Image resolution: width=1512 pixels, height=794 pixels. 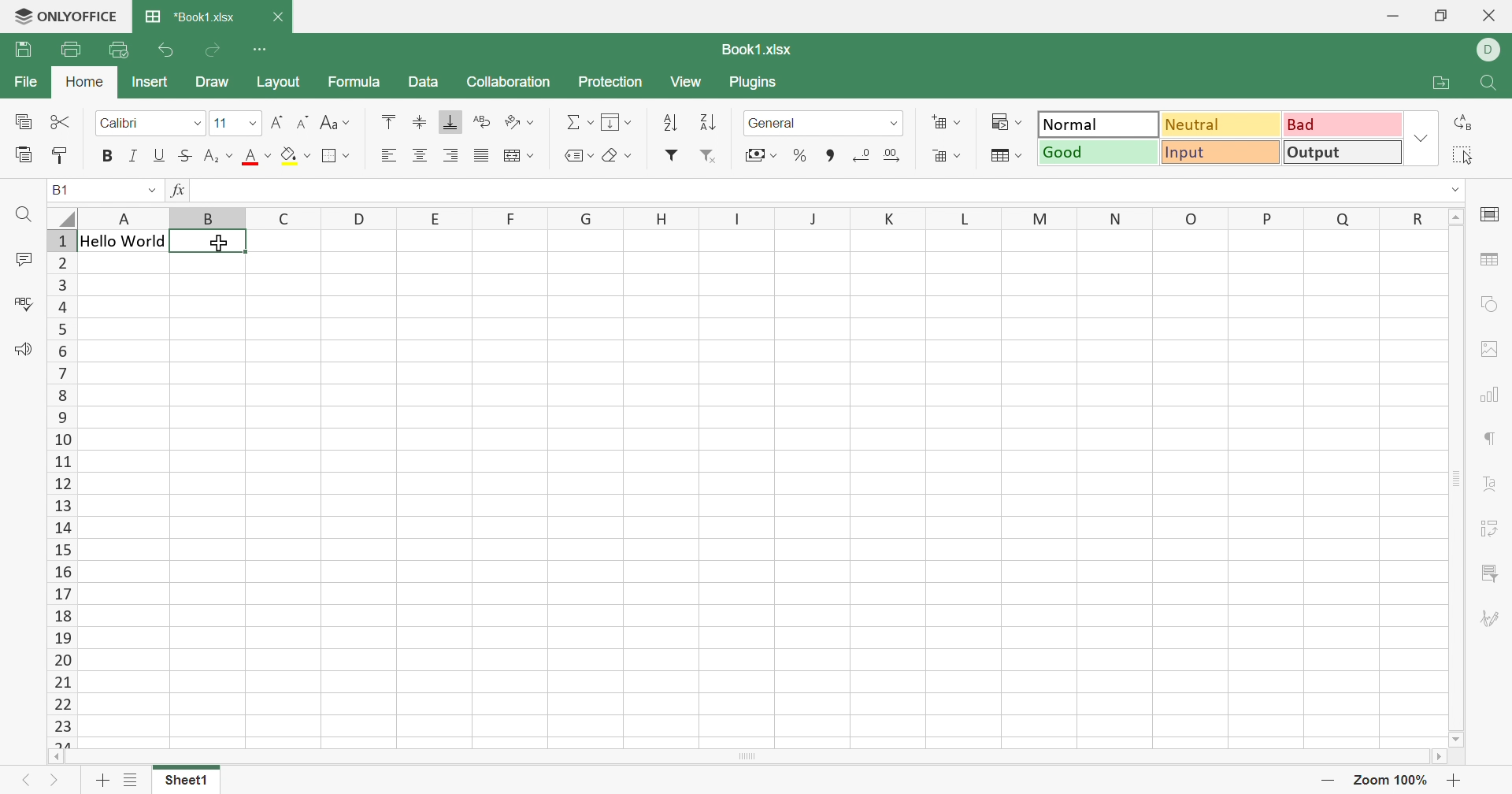 What do you see at coordinates (297, 156) in the screenshot?
I see `Fill color` at bounding box center [297, 156].